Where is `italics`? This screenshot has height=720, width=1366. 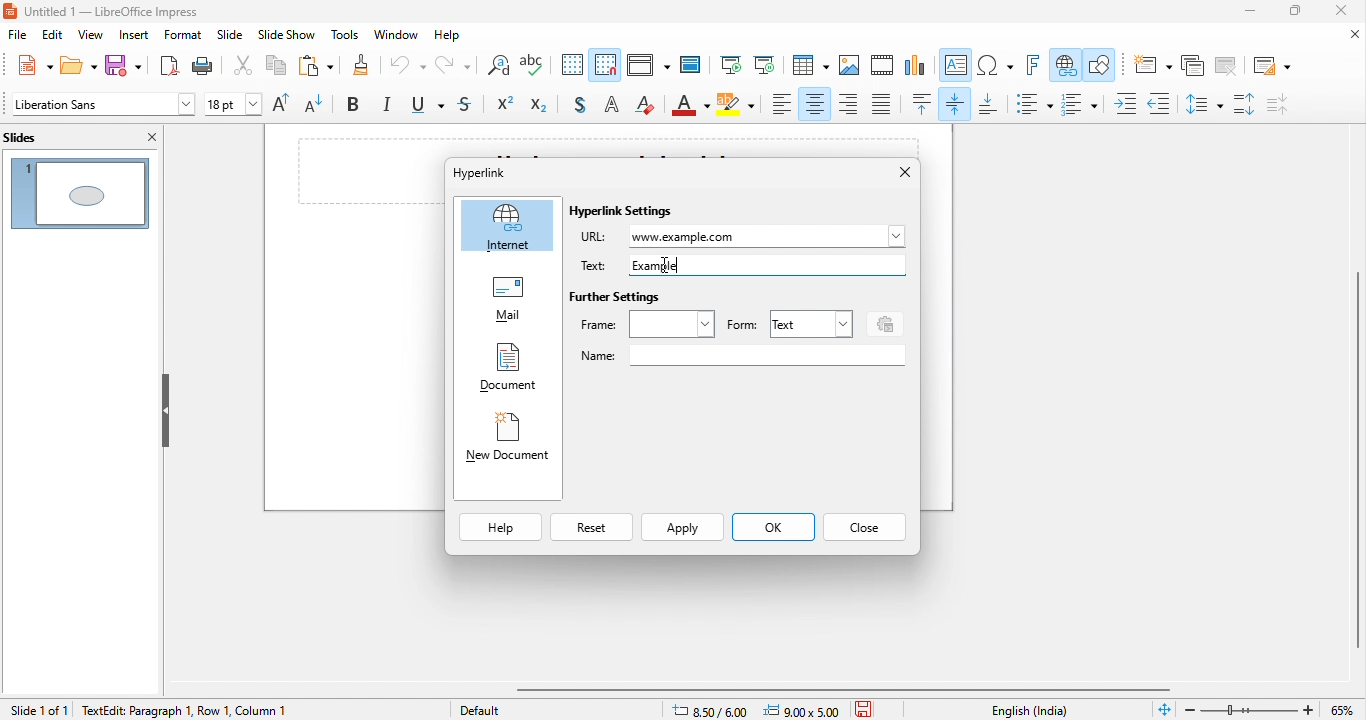 italics is located at coordinates (389, 106).